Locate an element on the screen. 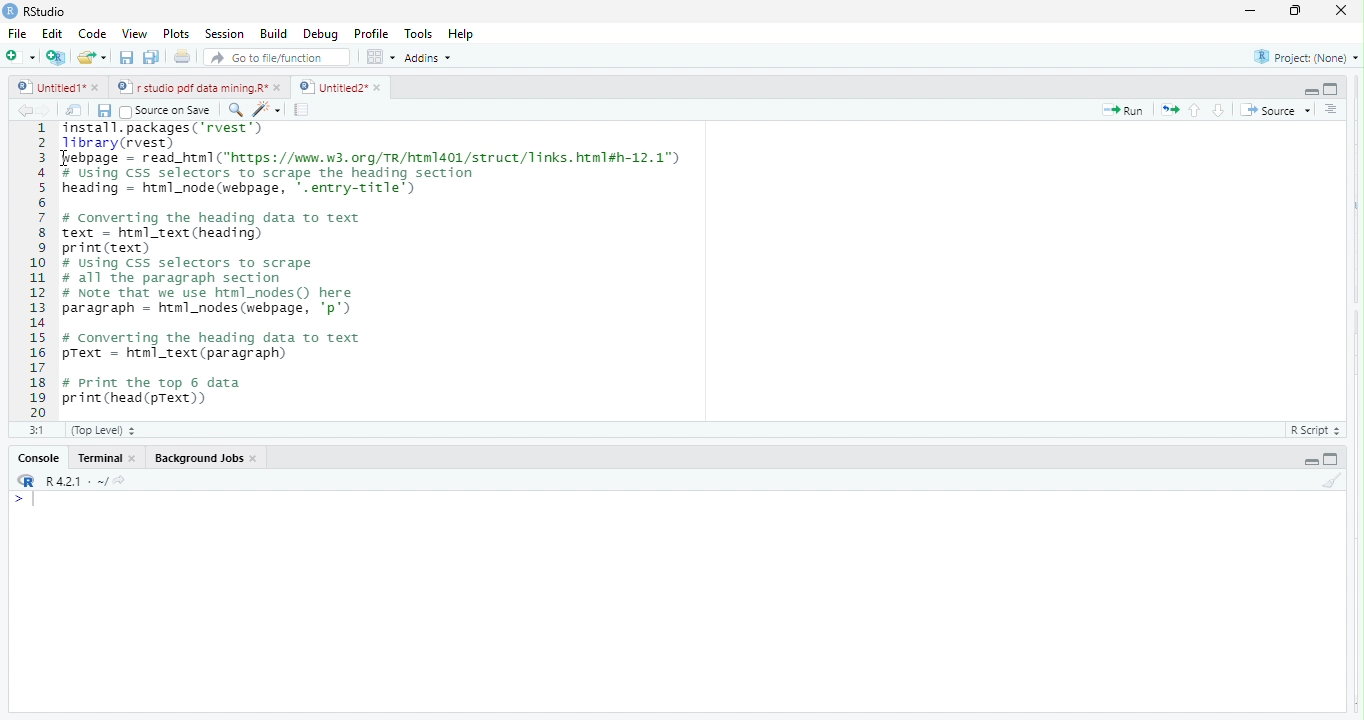 The height and width of the screenshot is (720, 1364). hide r script is located at coordinates (1310, 461).